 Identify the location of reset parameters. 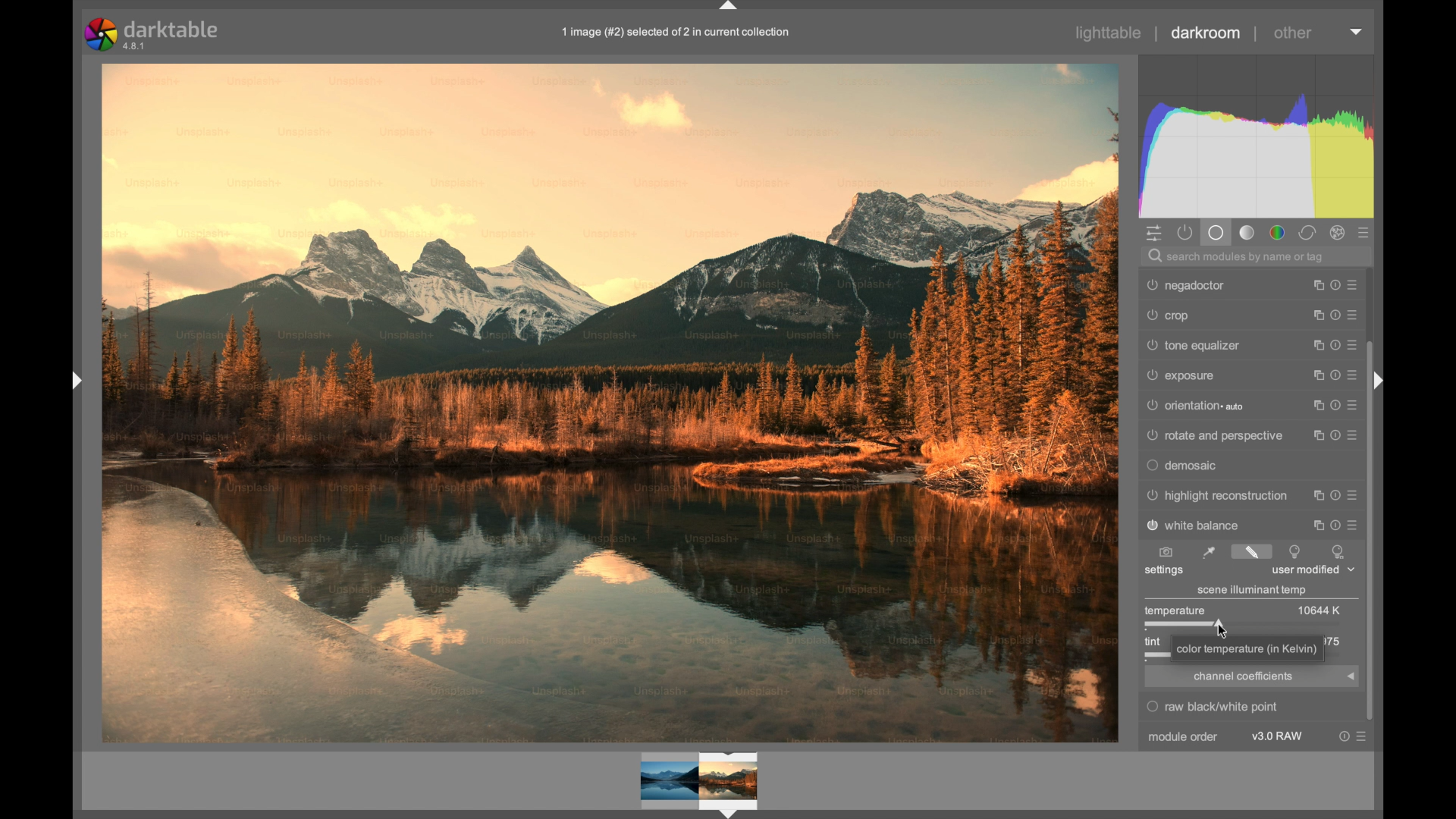
(1336, 371).